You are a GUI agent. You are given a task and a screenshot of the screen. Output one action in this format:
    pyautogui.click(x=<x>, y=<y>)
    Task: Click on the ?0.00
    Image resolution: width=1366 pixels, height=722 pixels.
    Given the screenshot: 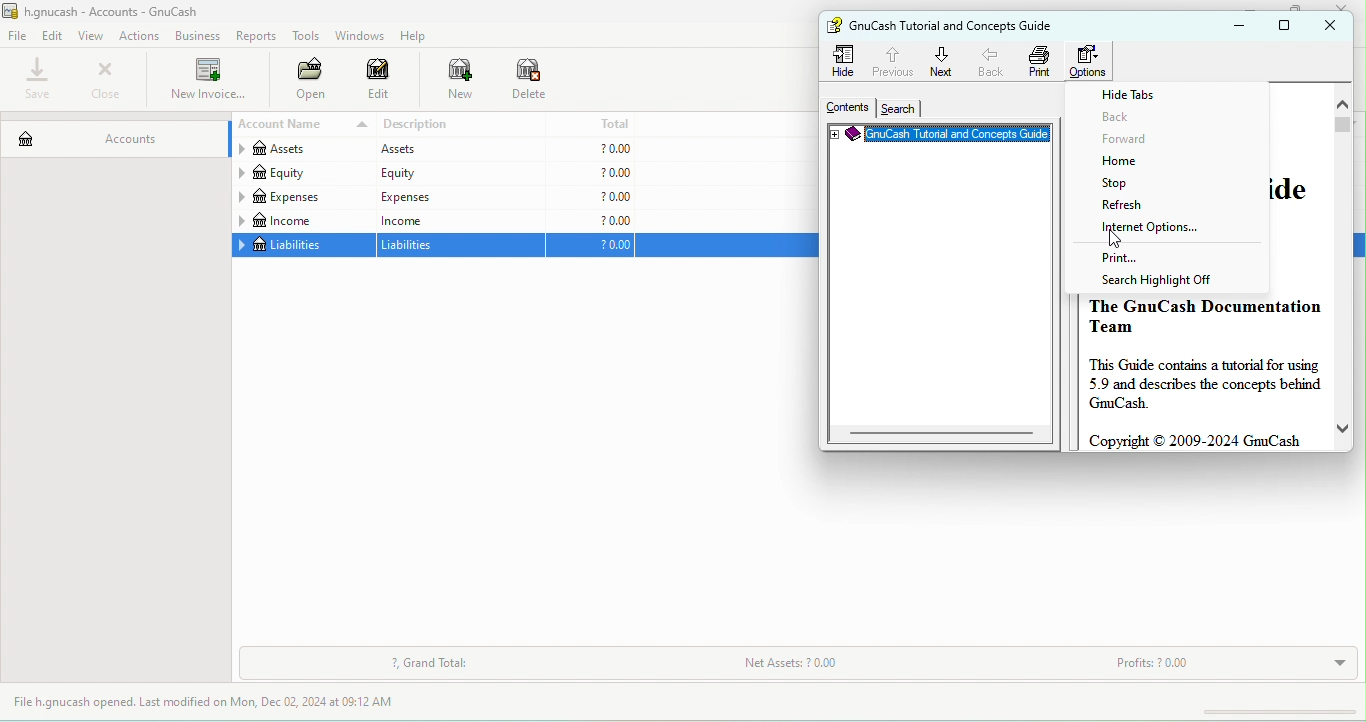 What is the action you would take?
    pyautogui.click(x=590, y=174)
    